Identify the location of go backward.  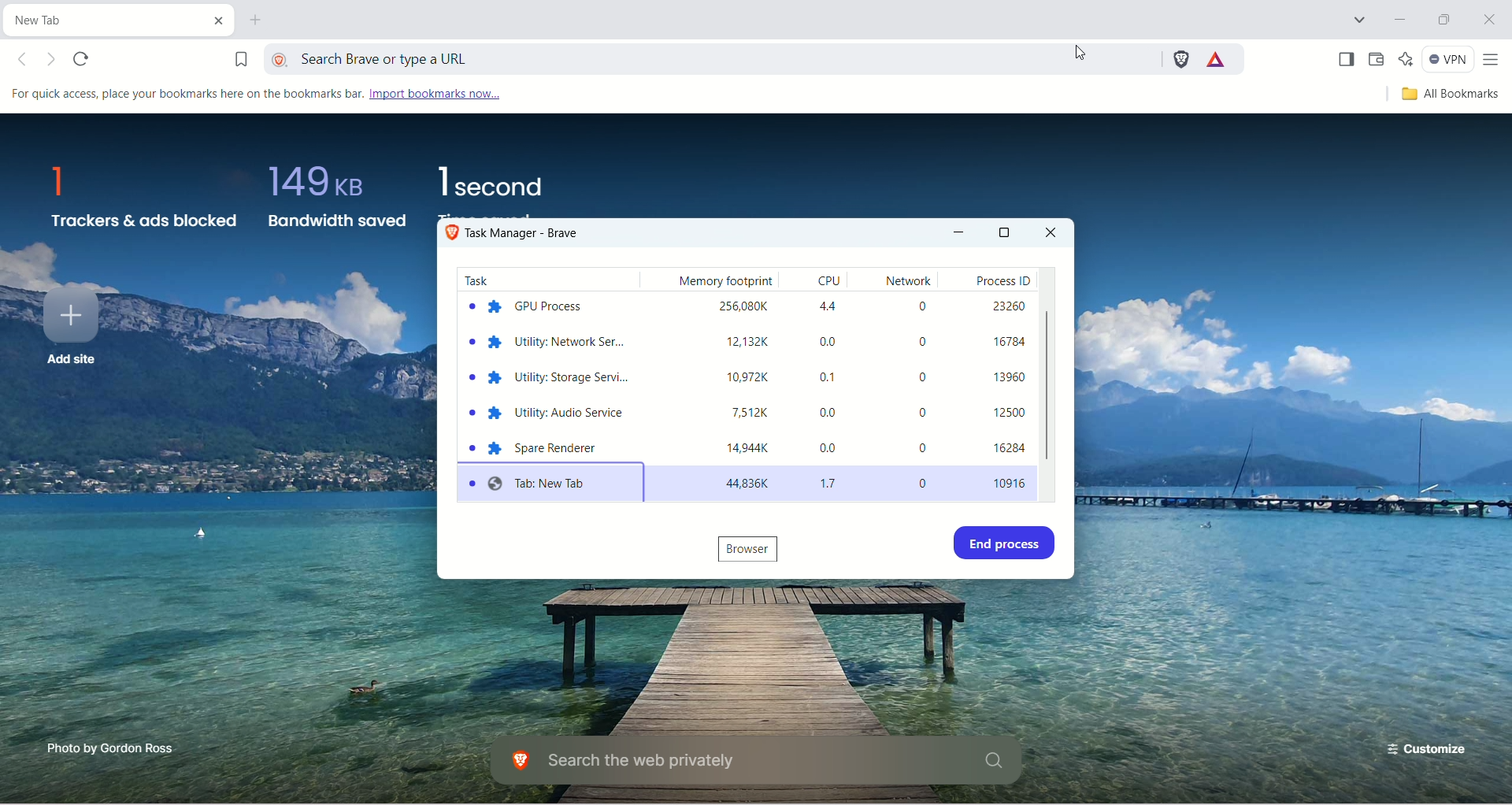
(27, 60).